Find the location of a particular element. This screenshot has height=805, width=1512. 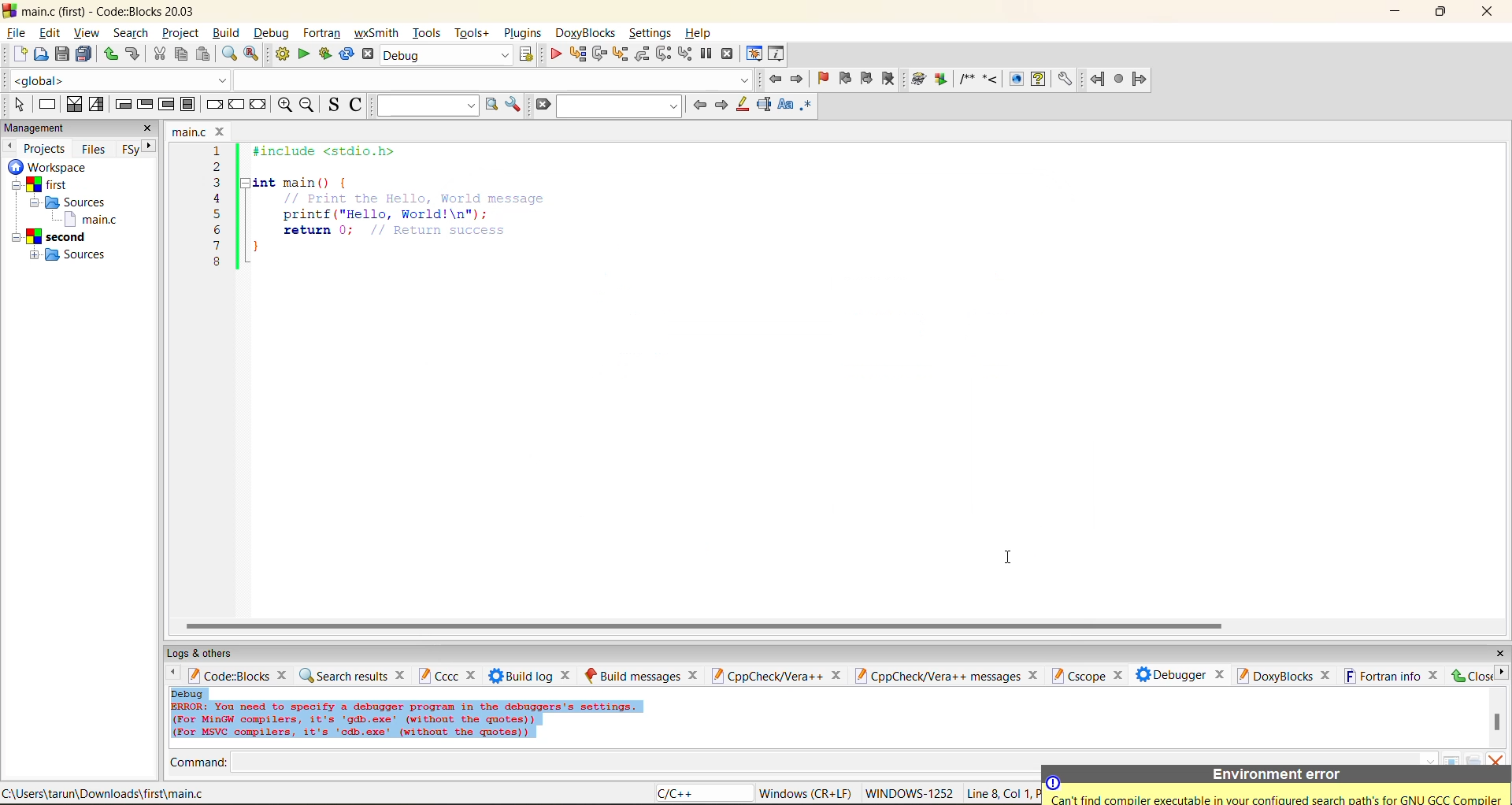

build log is located at coordinates (521, 676).